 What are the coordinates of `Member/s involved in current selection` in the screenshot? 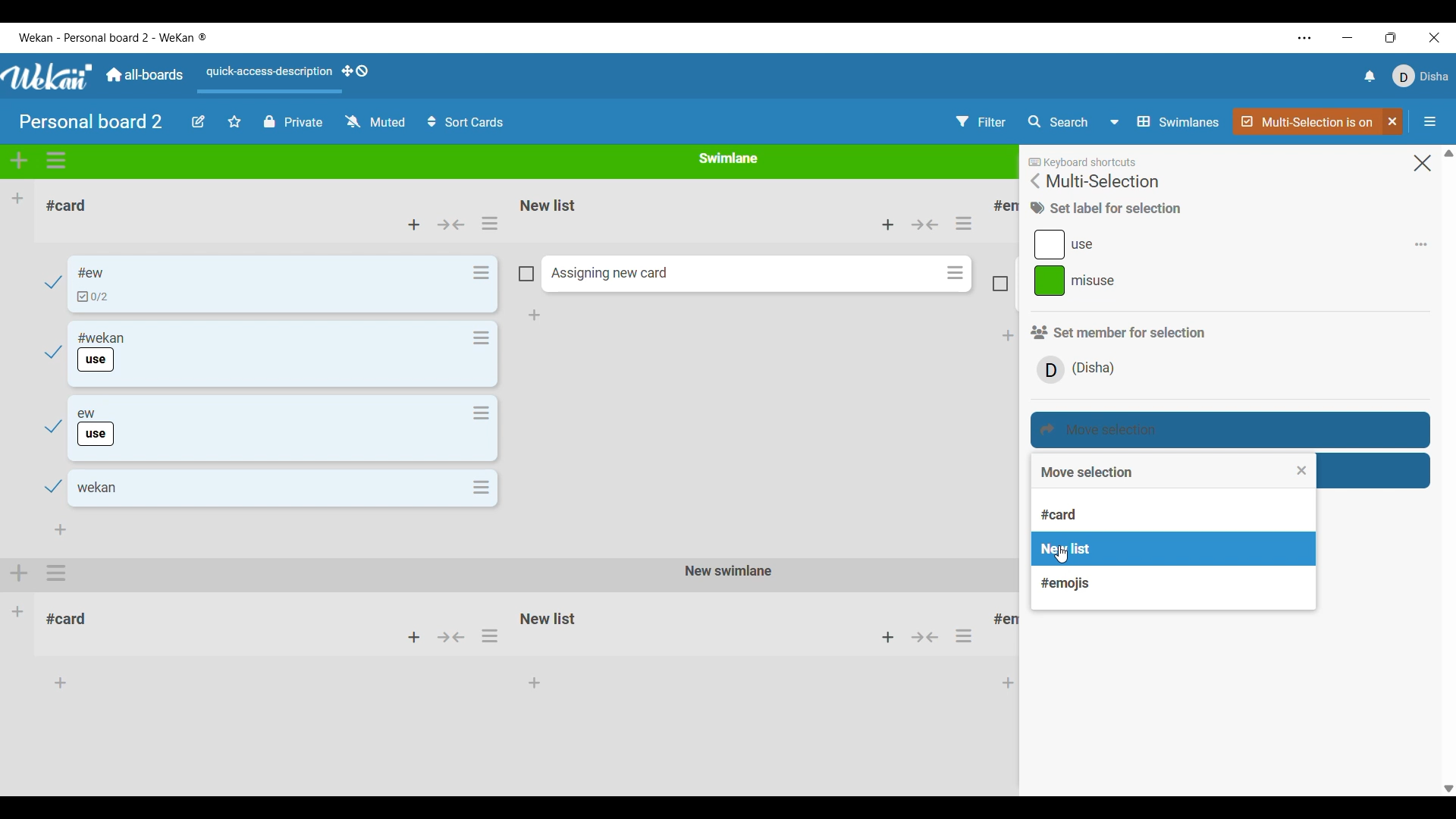 It's located at (1083, 369).